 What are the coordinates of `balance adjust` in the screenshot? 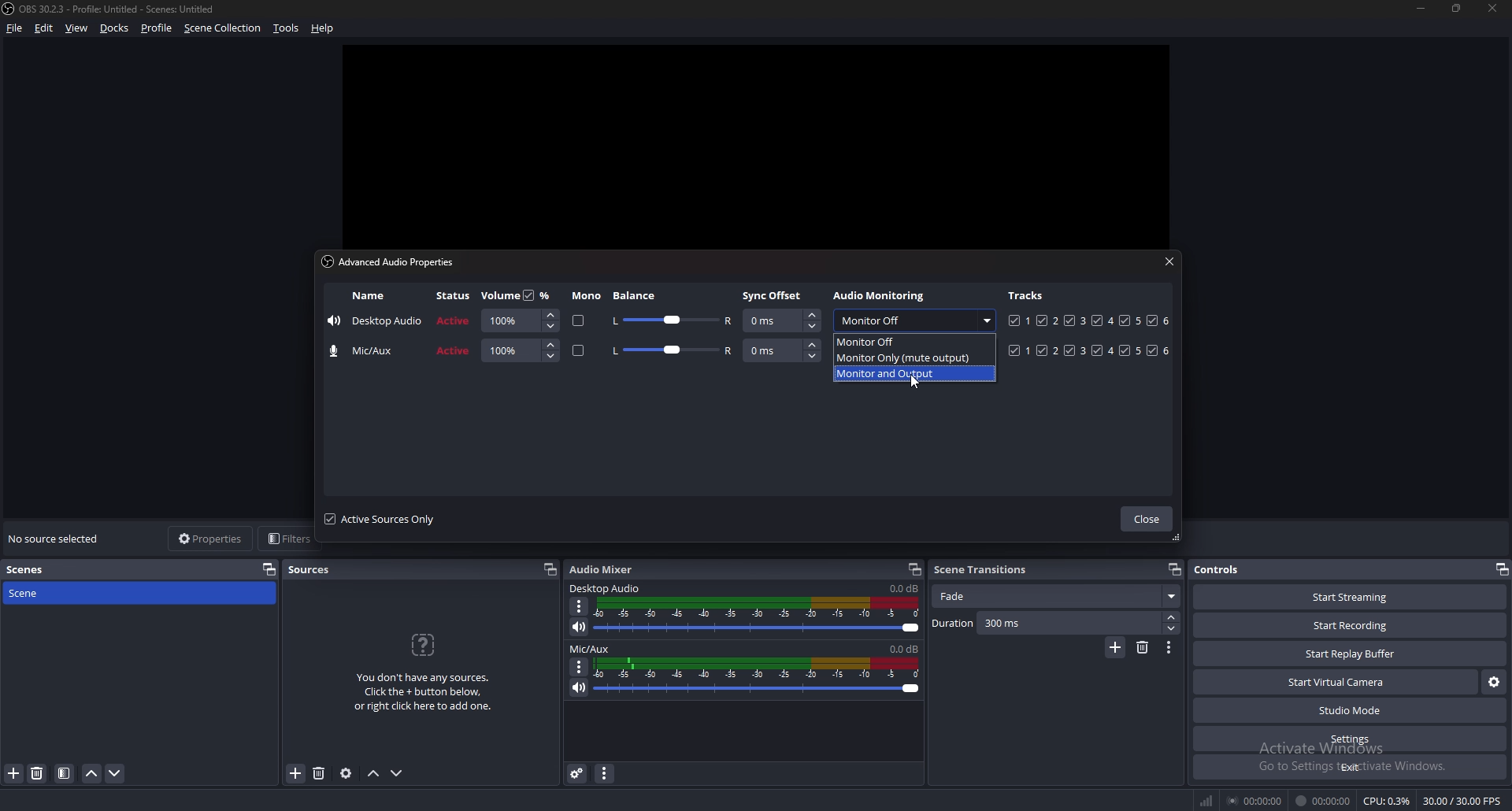 It's located at (673, 320).